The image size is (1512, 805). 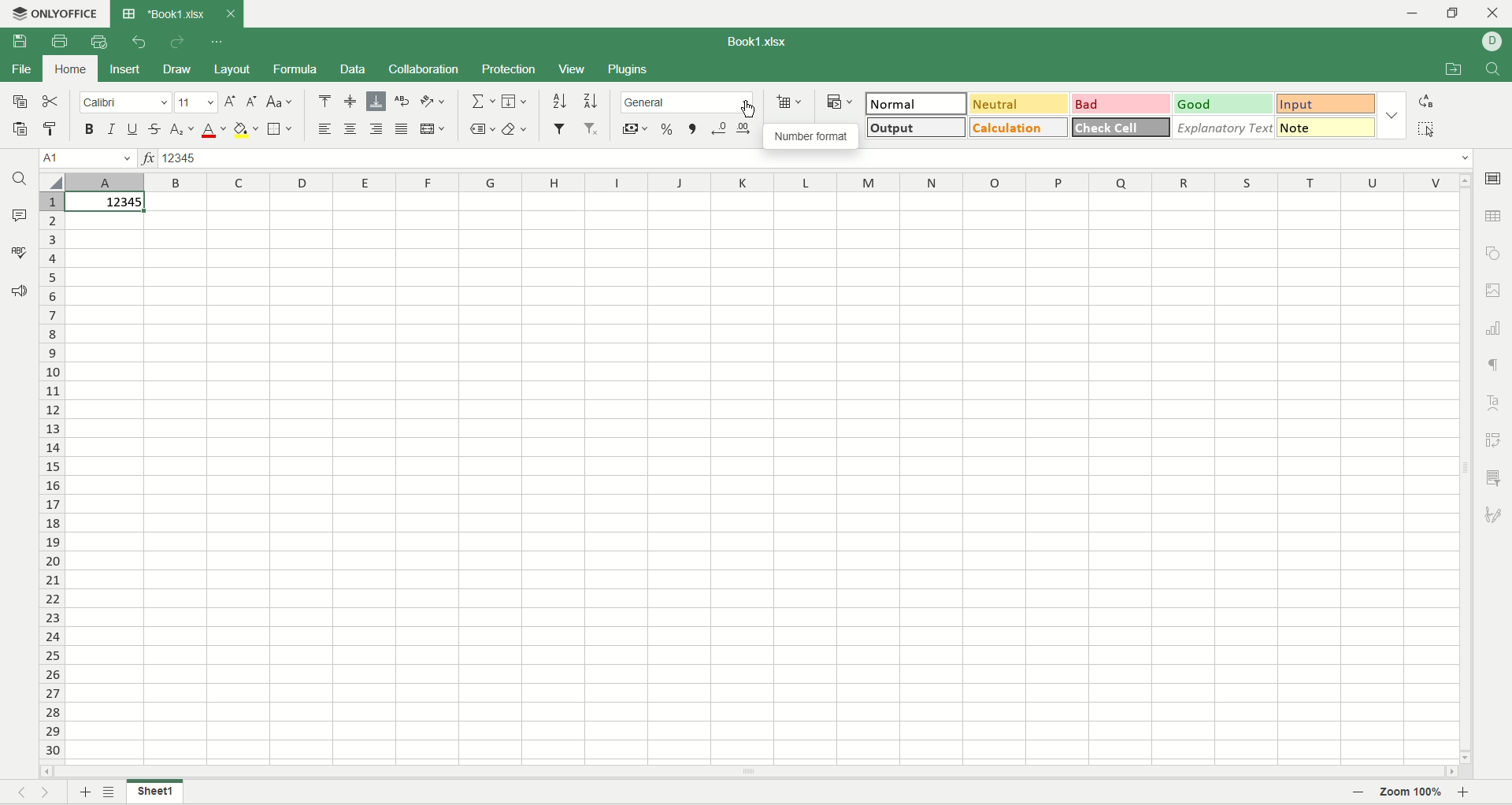 What do you see at coordinates (141, 43) in the screenshot?
I see `undo` at bounding box center [141, 43].